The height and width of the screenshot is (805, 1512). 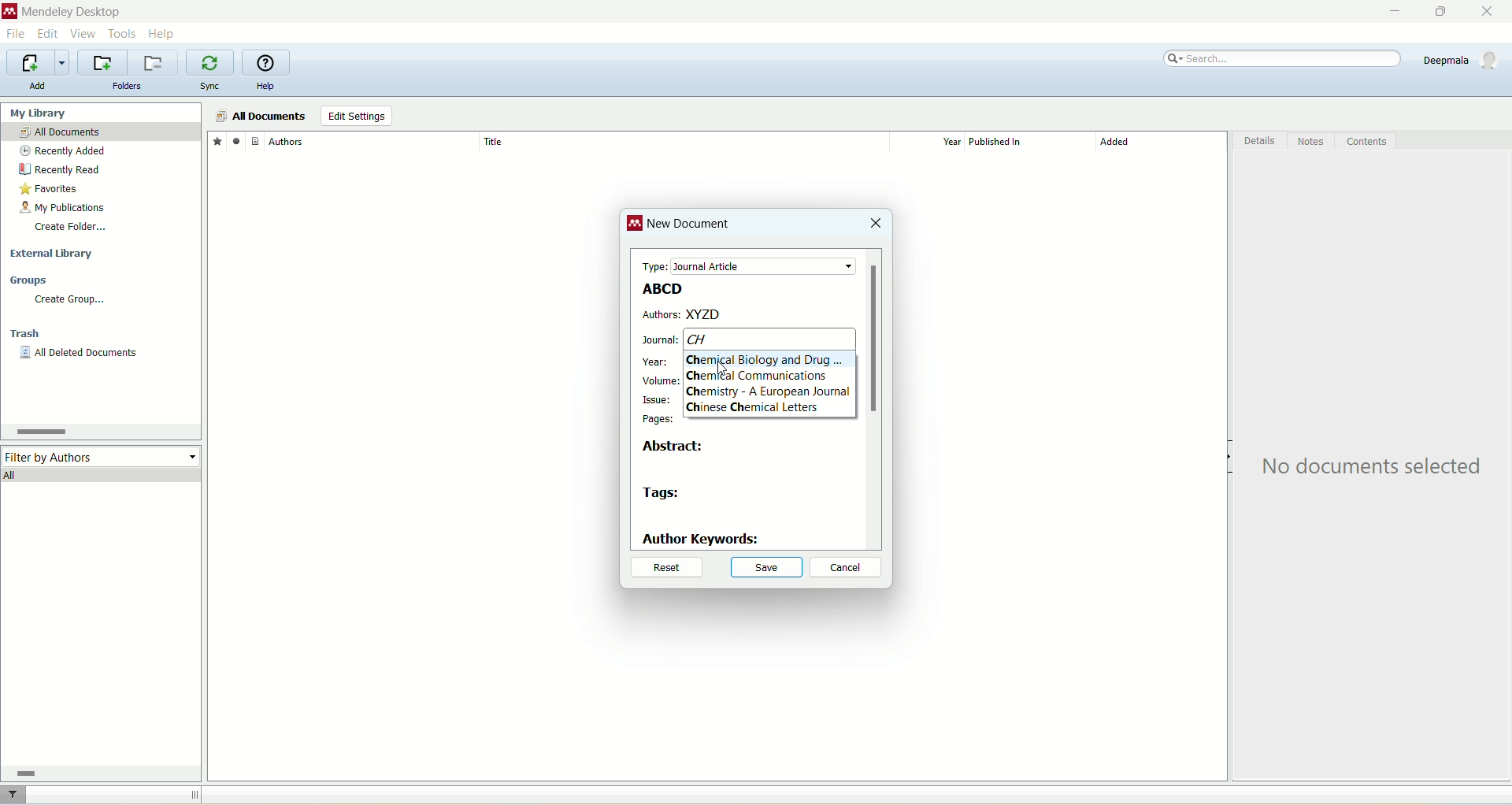 I want to click on all documents, so click(x=260, y=117).